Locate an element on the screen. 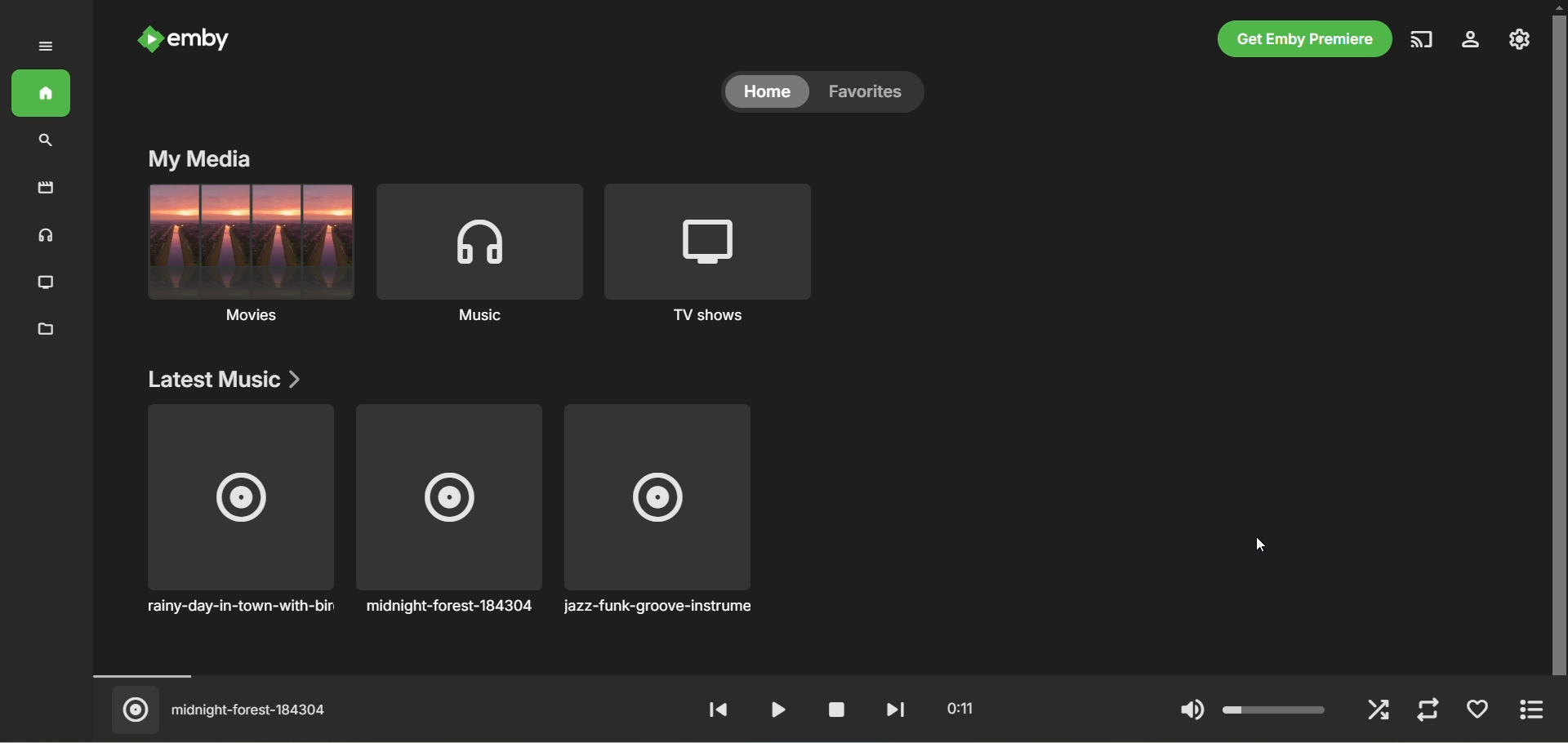 Image resolution: width=1568 pixels, height=743 pixels. latest music is located at coordinates (229, 380).